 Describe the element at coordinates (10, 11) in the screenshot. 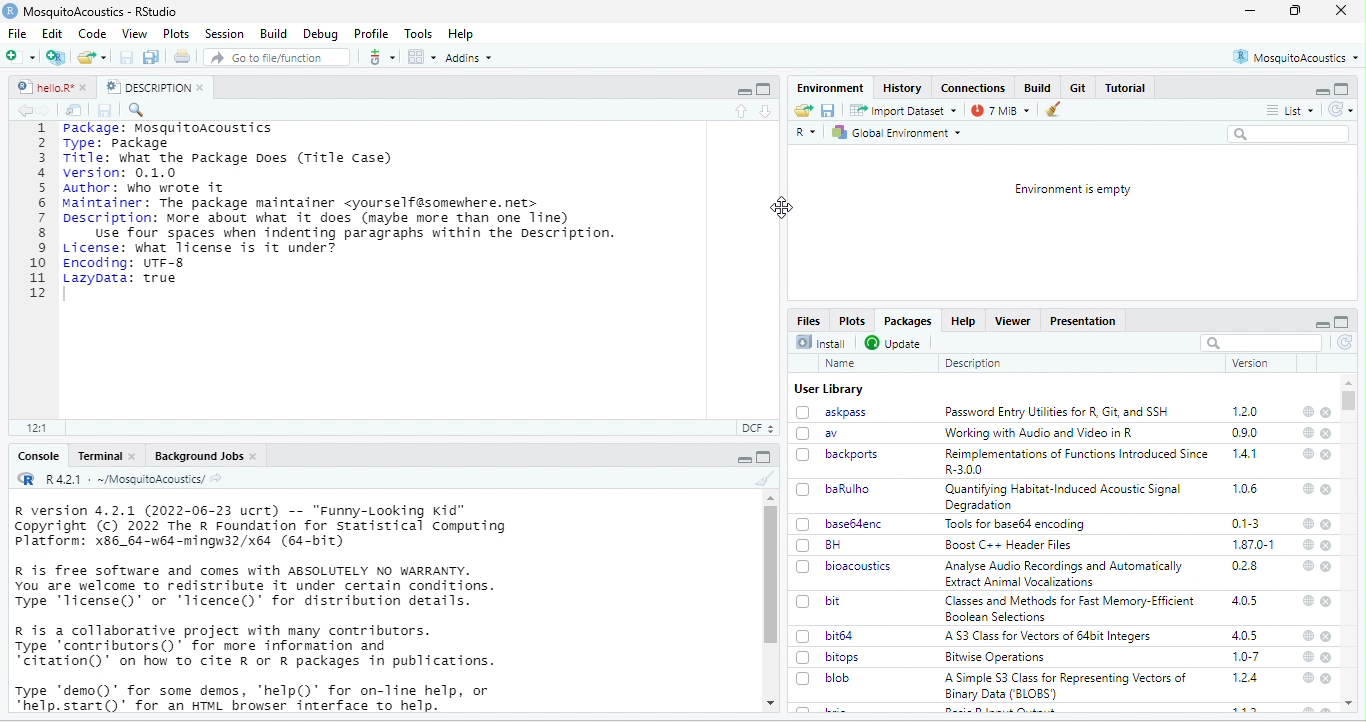

I see `logo` at that location.